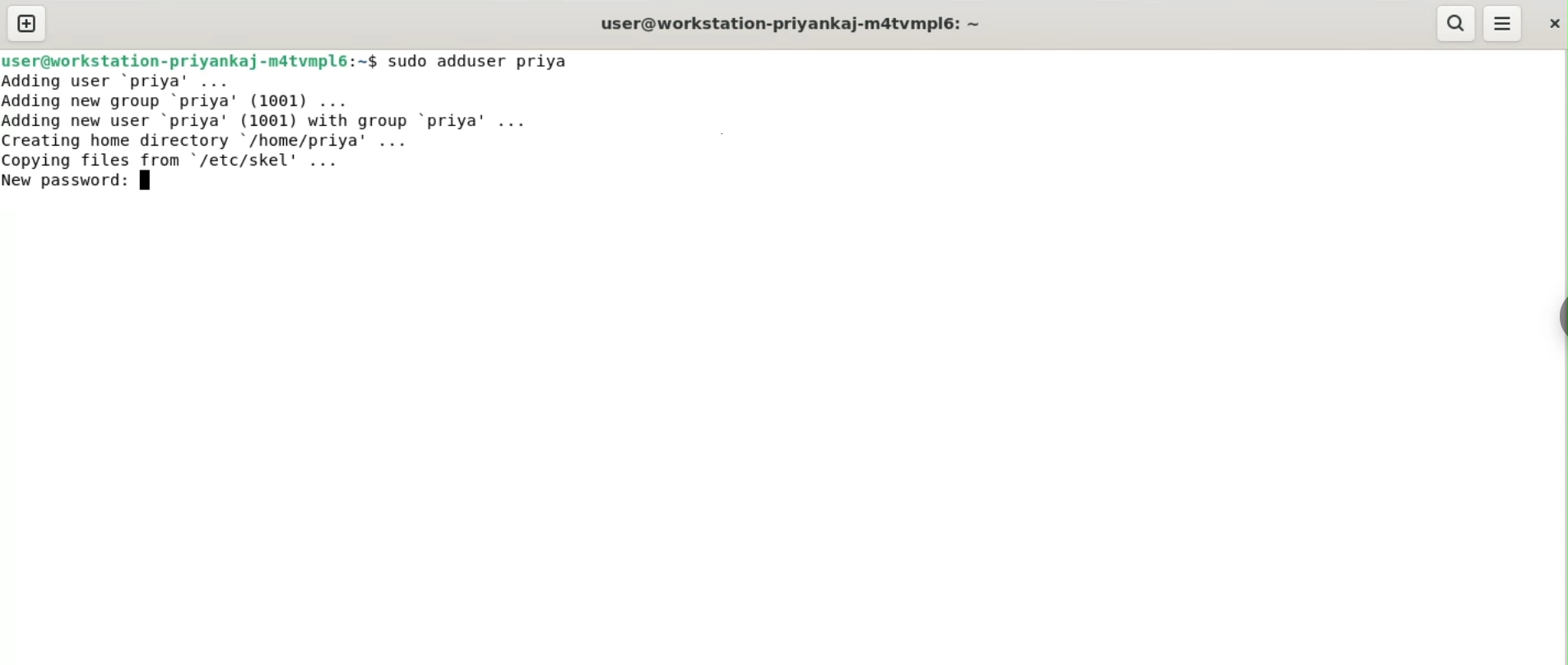  What do you see at coordinates (1552, 23) in the screenshot?
I see `close` at bounding box center [1552, 23].